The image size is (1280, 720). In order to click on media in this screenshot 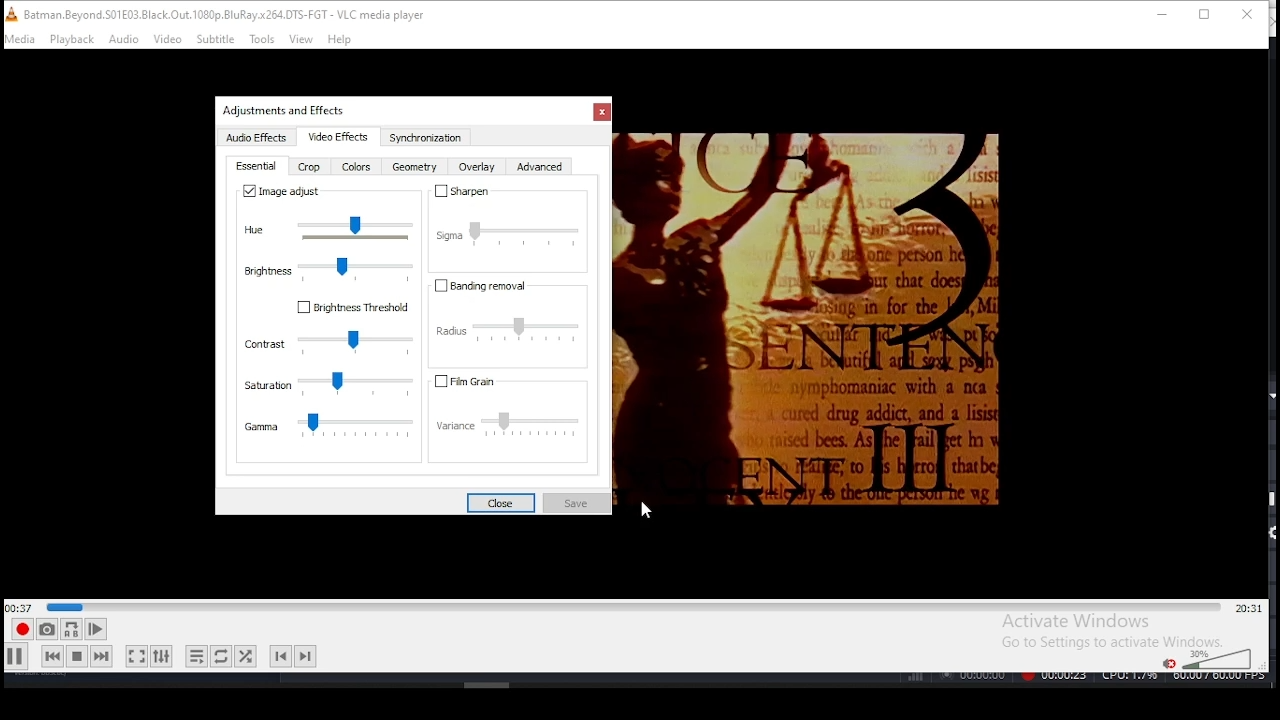, I will do `click(21, 39)`.